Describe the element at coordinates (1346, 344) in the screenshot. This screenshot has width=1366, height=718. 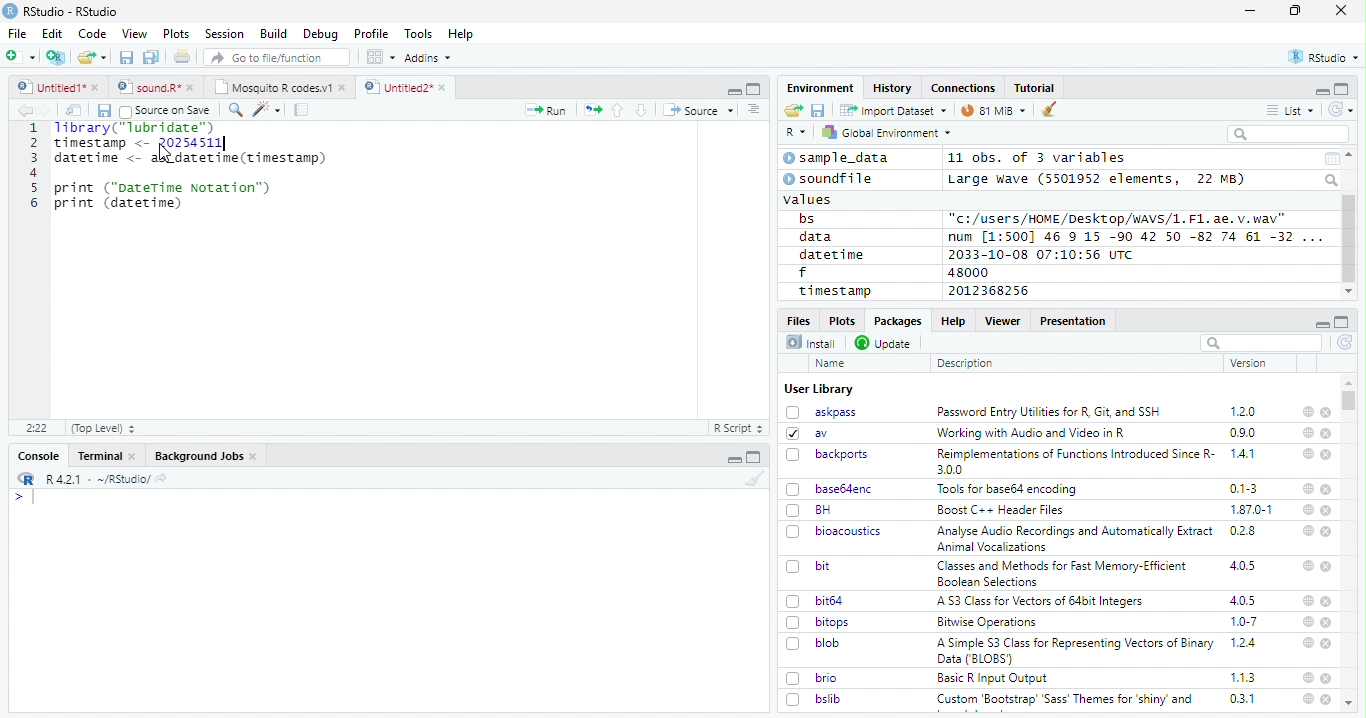
I see `Refresh` at that location.